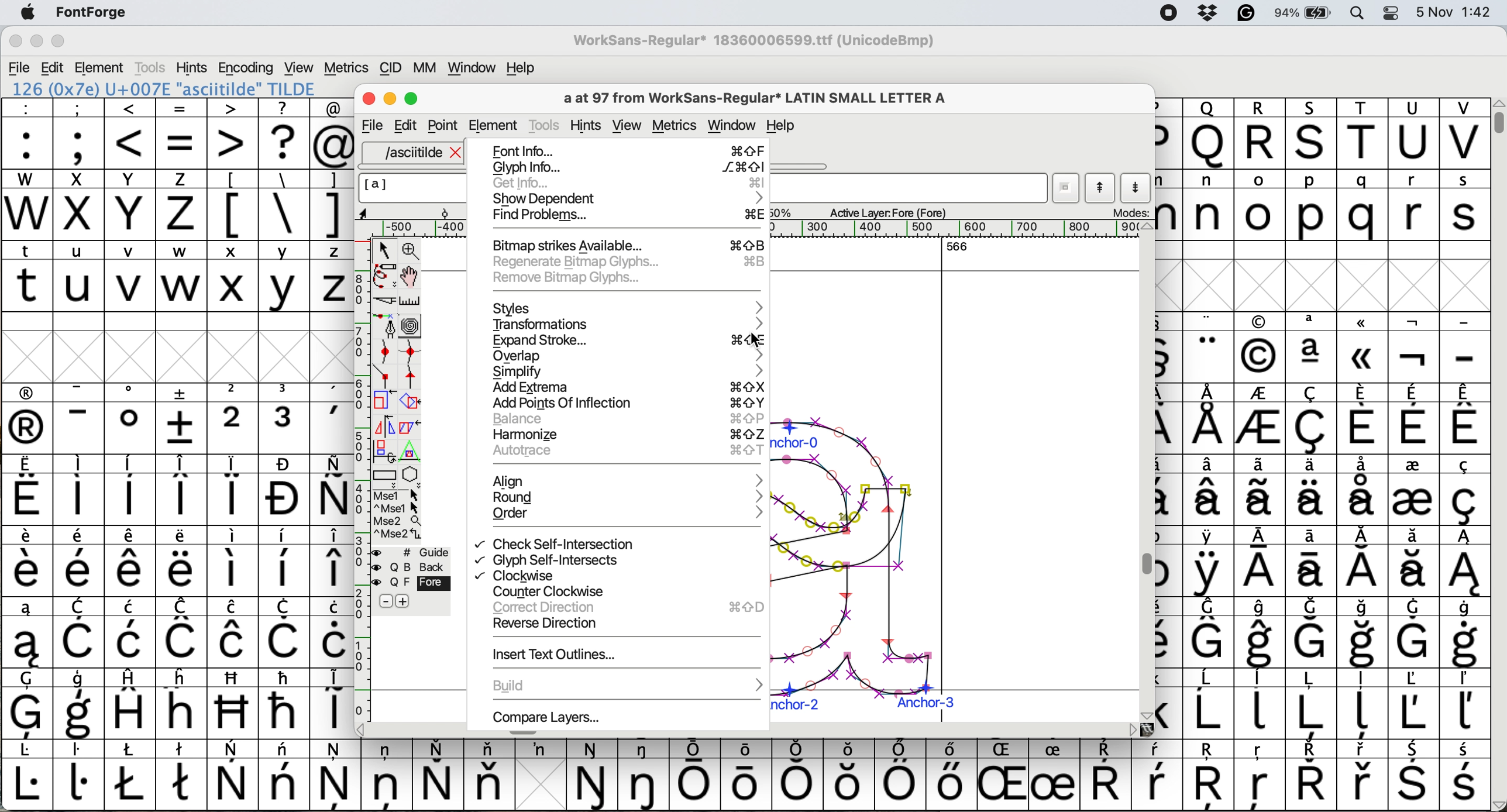 The image size is (1507, 812). Describe the element at coordinates (149, 67) in the screenshot. I see `tools` at that location.